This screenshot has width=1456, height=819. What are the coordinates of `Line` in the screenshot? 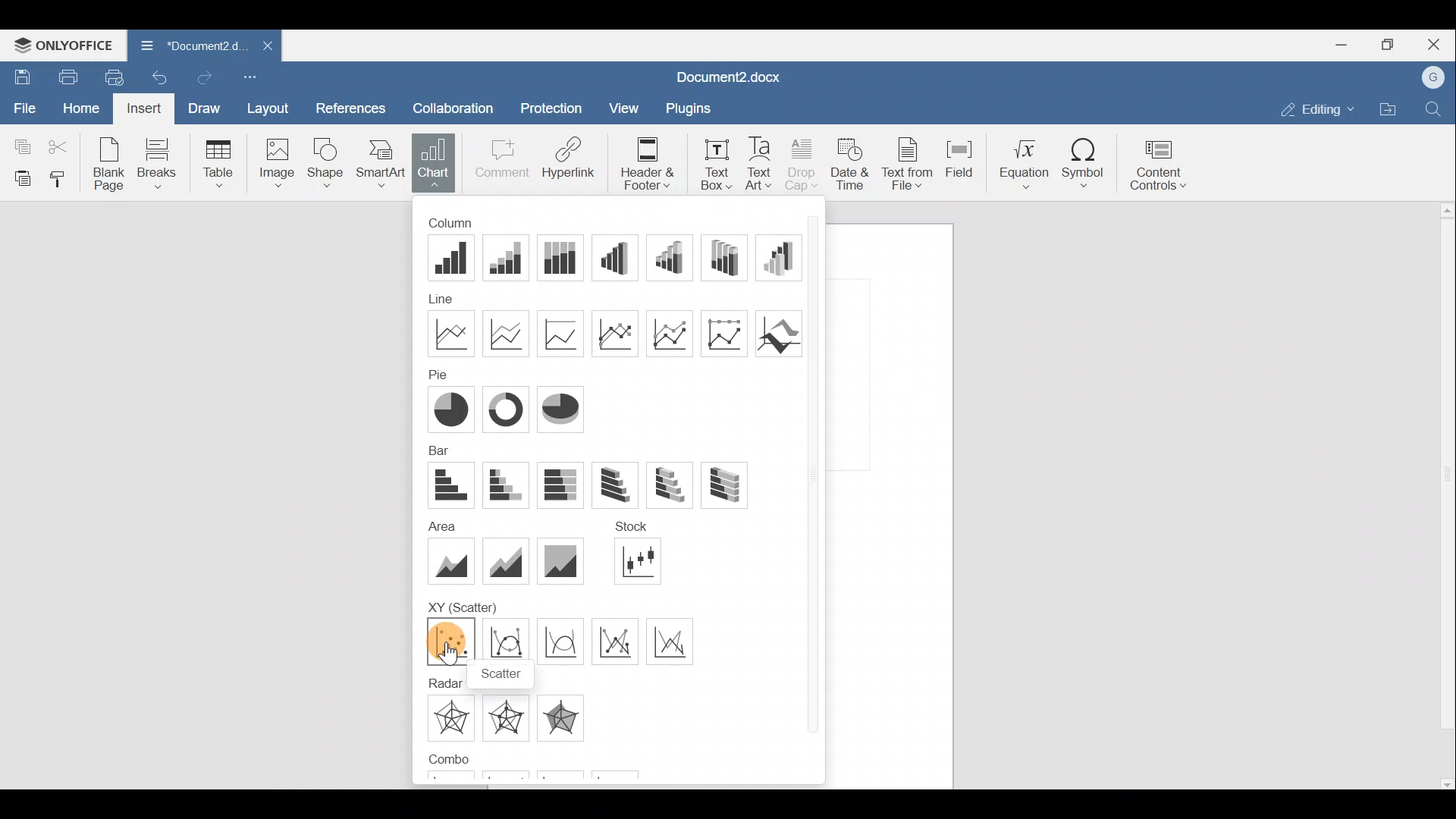 It's located at (456, 299).